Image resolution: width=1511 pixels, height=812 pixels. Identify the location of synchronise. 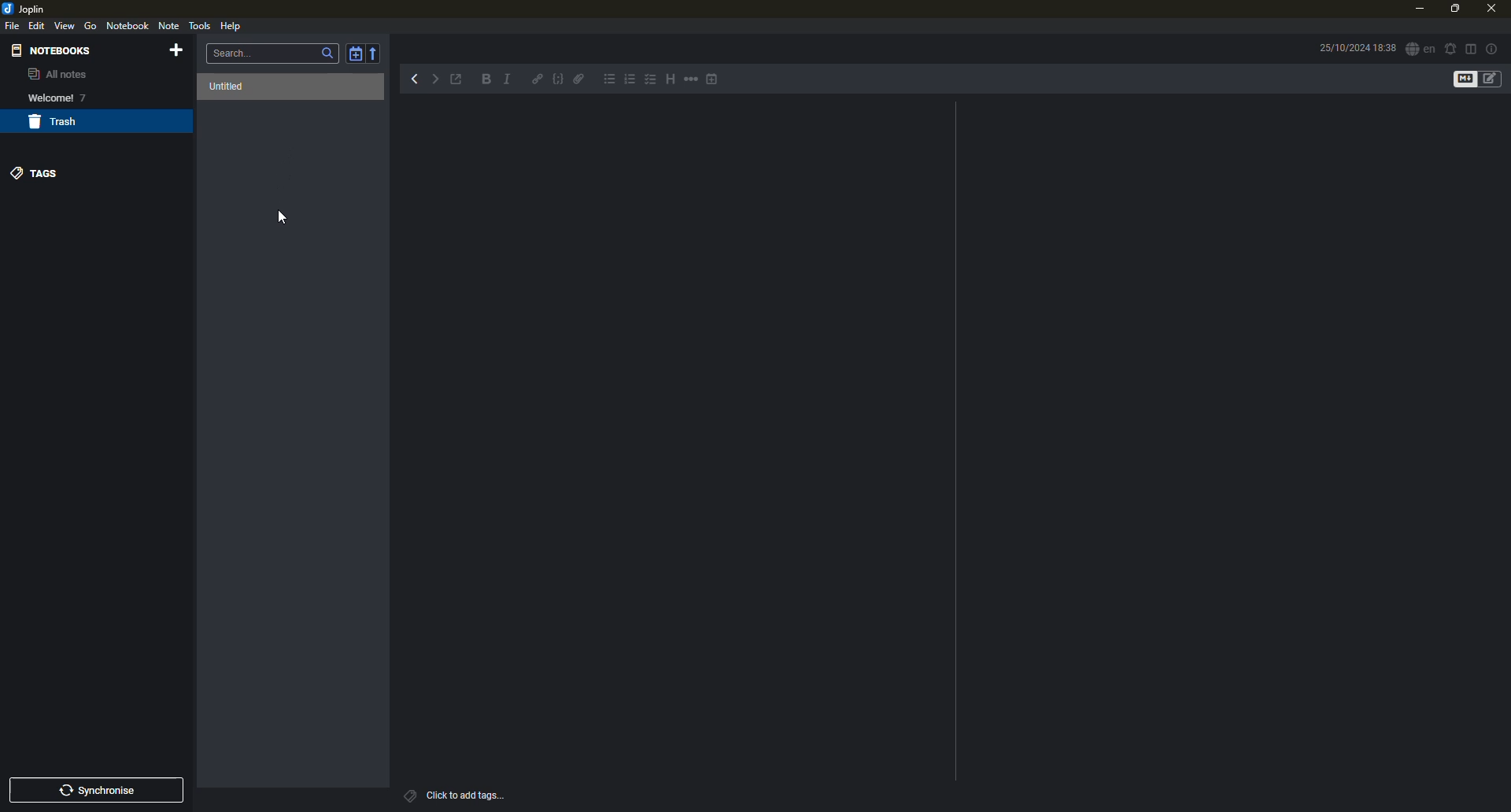
(102, 791).